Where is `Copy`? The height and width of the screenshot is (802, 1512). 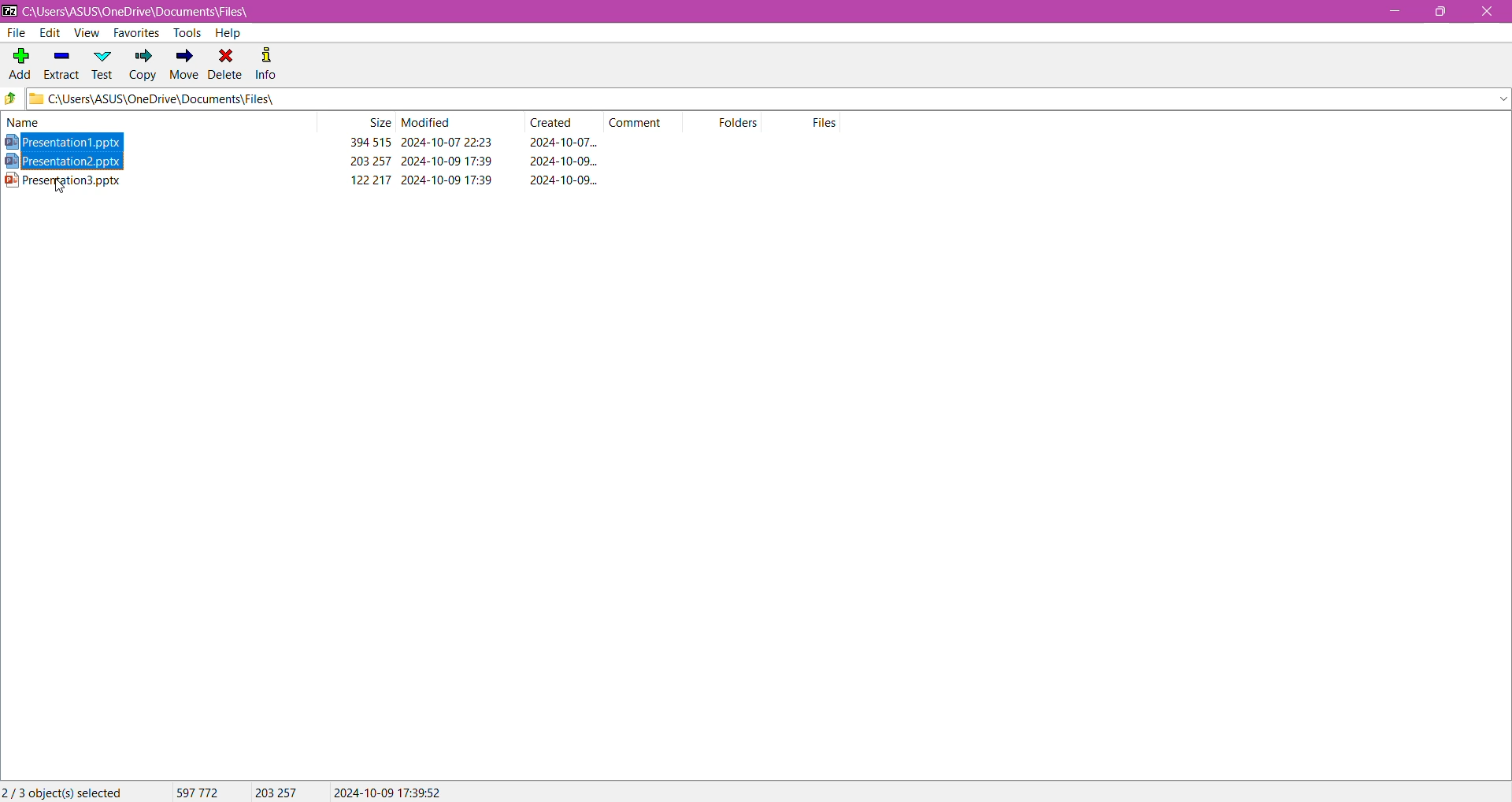
Copy is located at coordinates (143, 66).